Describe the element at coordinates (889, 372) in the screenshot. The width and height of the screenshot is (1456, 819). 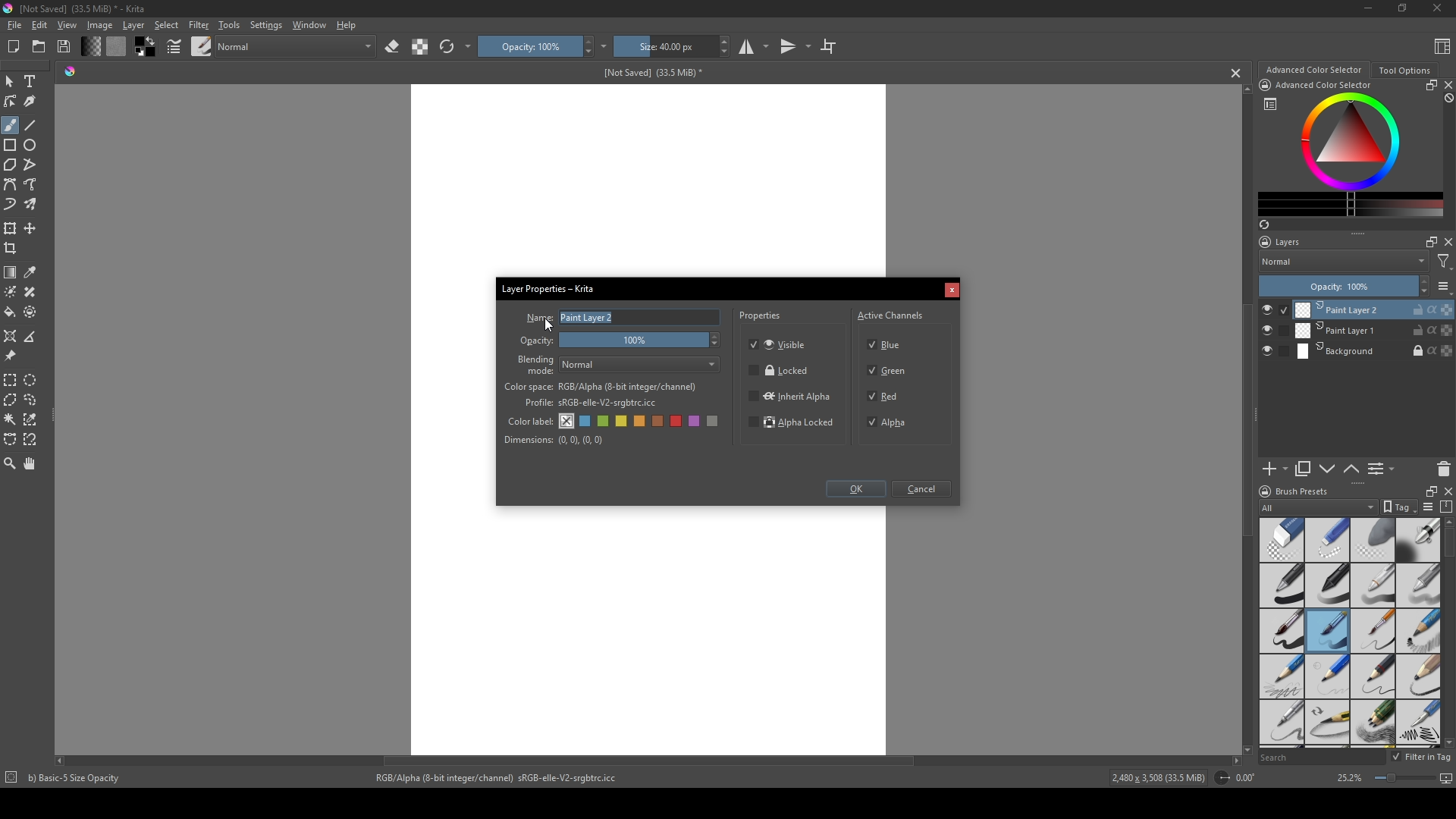
I see `Green` at that location.